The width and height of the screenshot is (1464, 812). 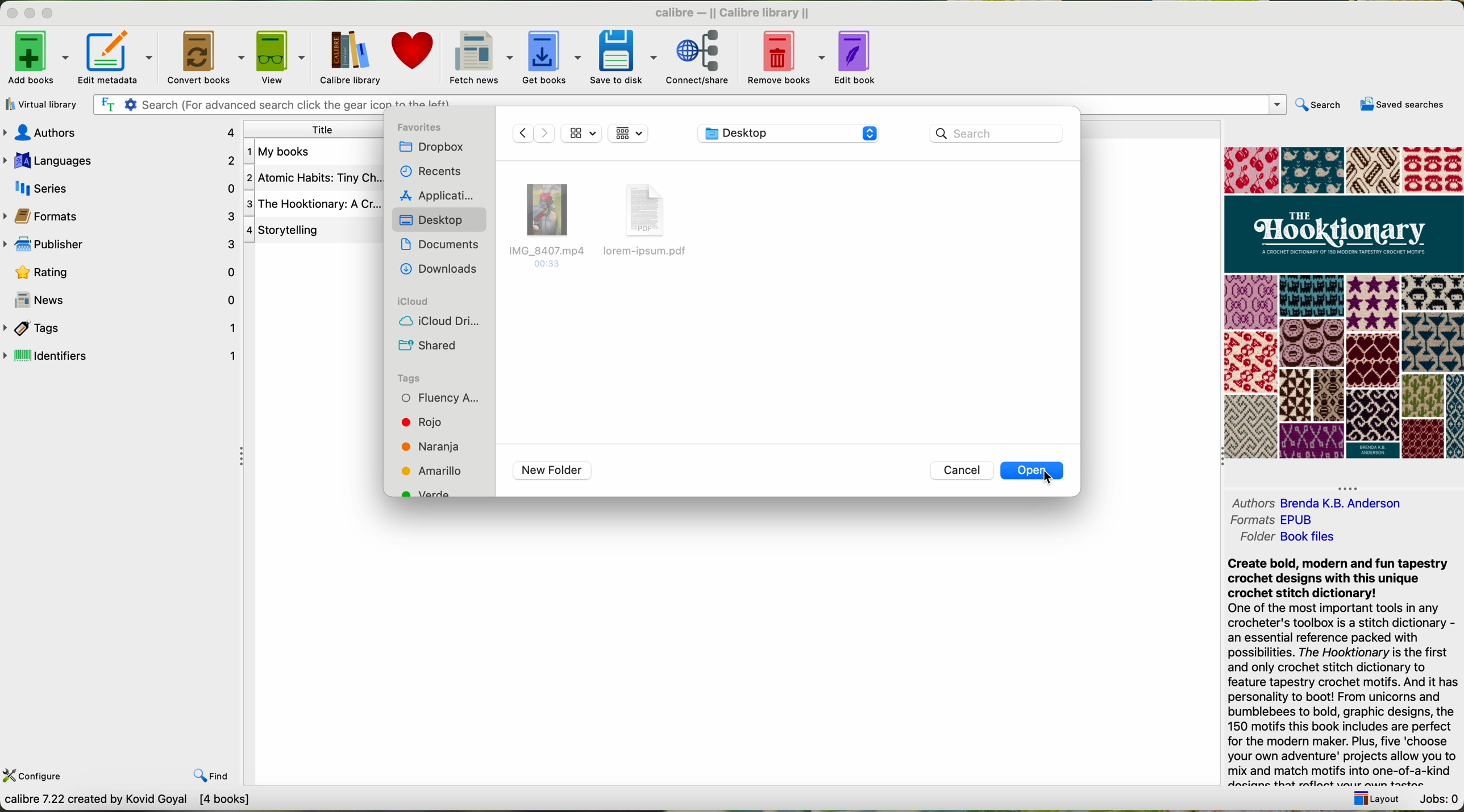 What do you see at coordinates (442, 247) in the screenshot?
I see `documents` at bounding box center [442, 247].